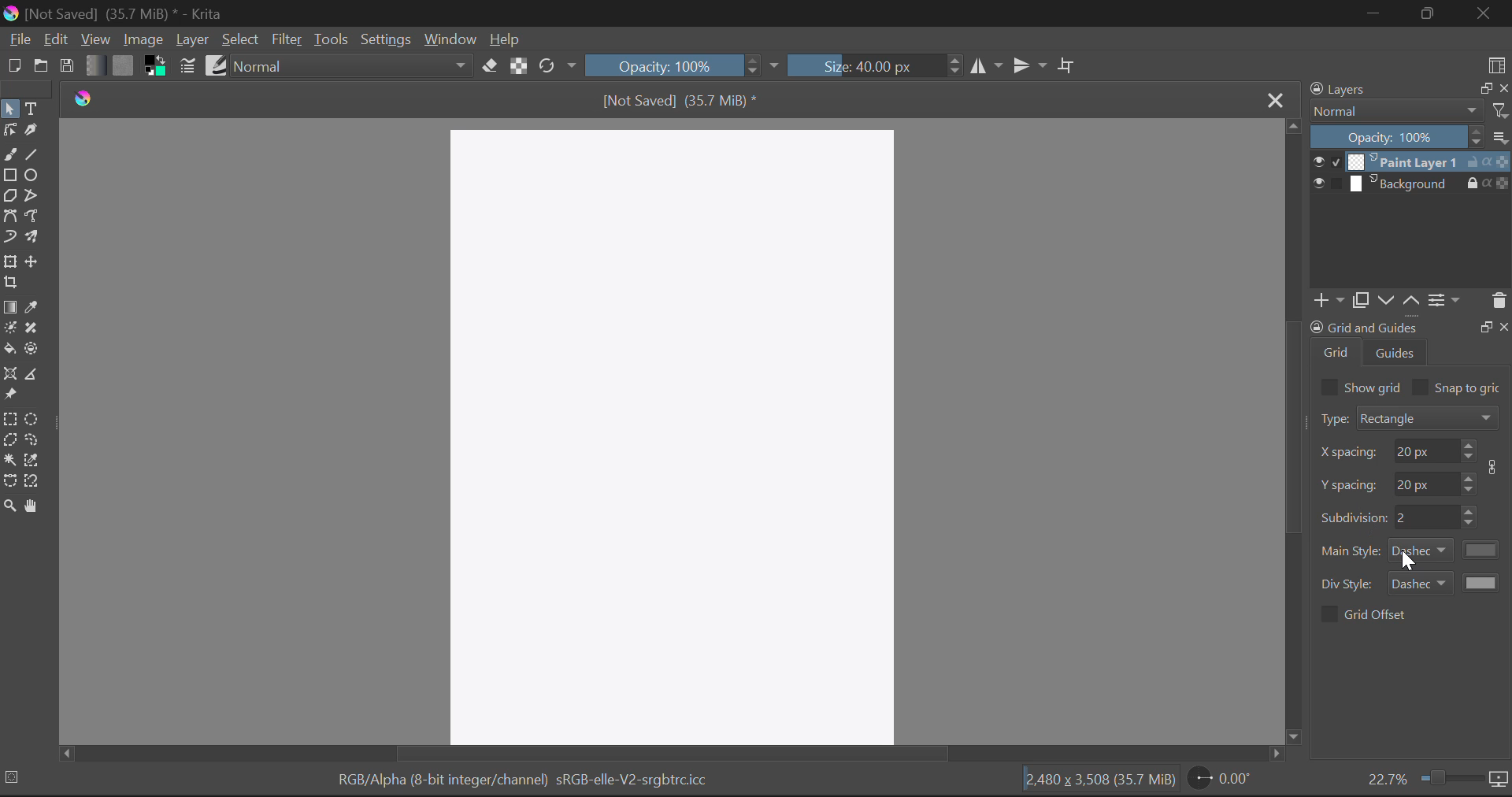  What do you see at coordinates (987, 67) in the screenshot?
I see `Vertical Mirror Flip` at bounding box center [987, 67].